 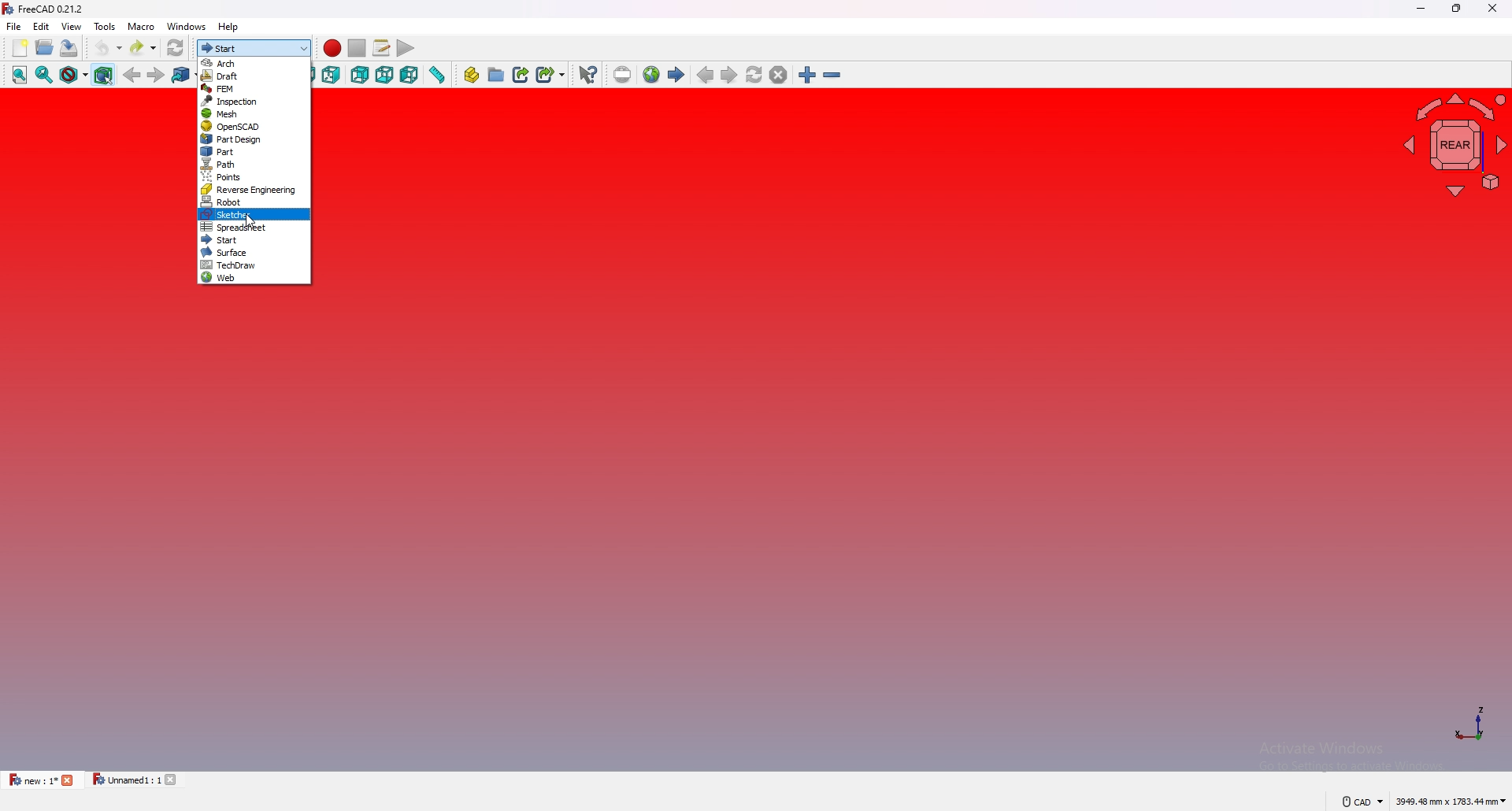 I want to click on whats this?, so click(x=588, y=75).